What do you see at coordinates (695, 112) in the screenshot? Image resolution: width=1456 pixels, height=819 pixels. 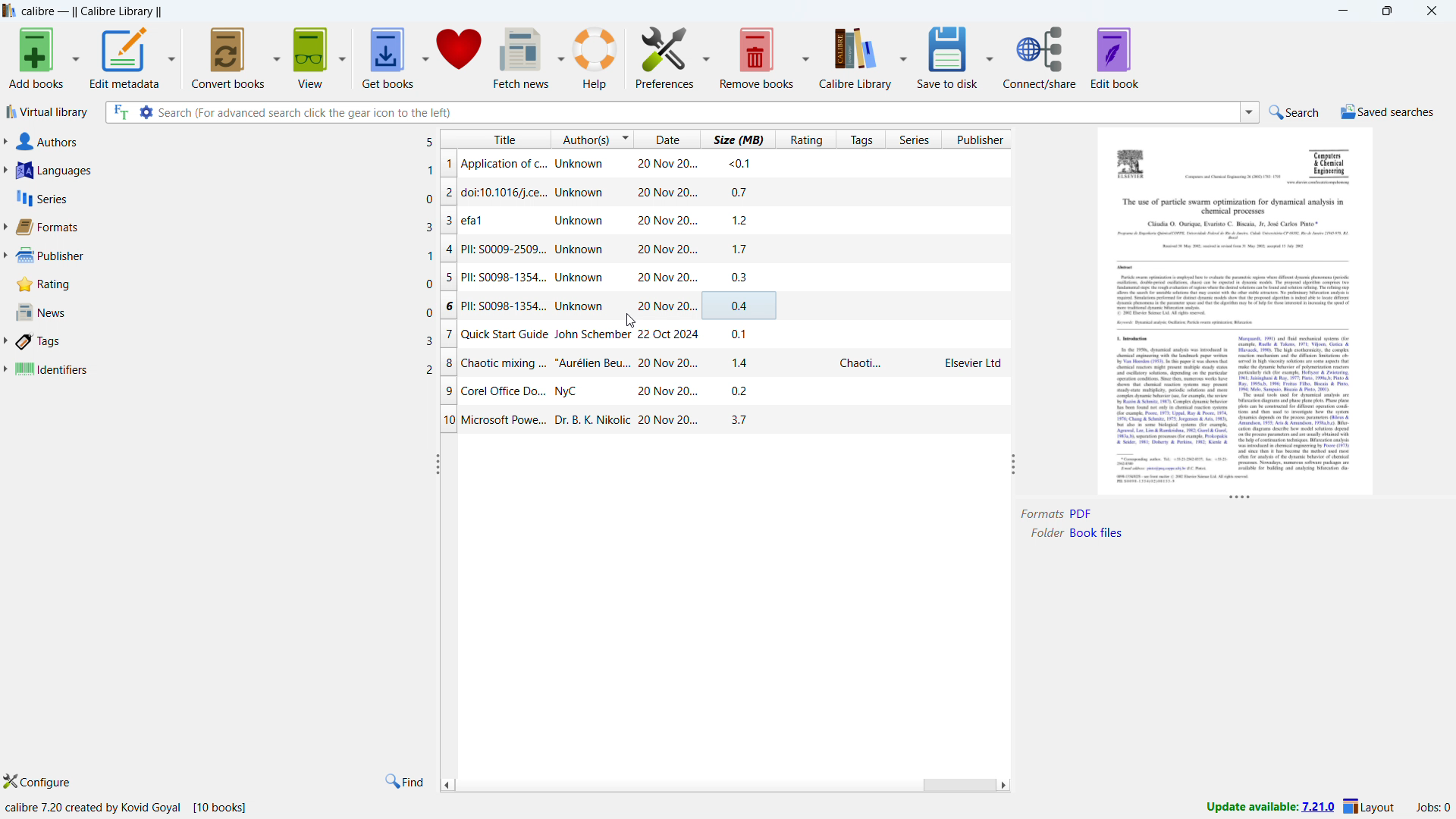 I see `enter search string` at bounding box center [695, 112].